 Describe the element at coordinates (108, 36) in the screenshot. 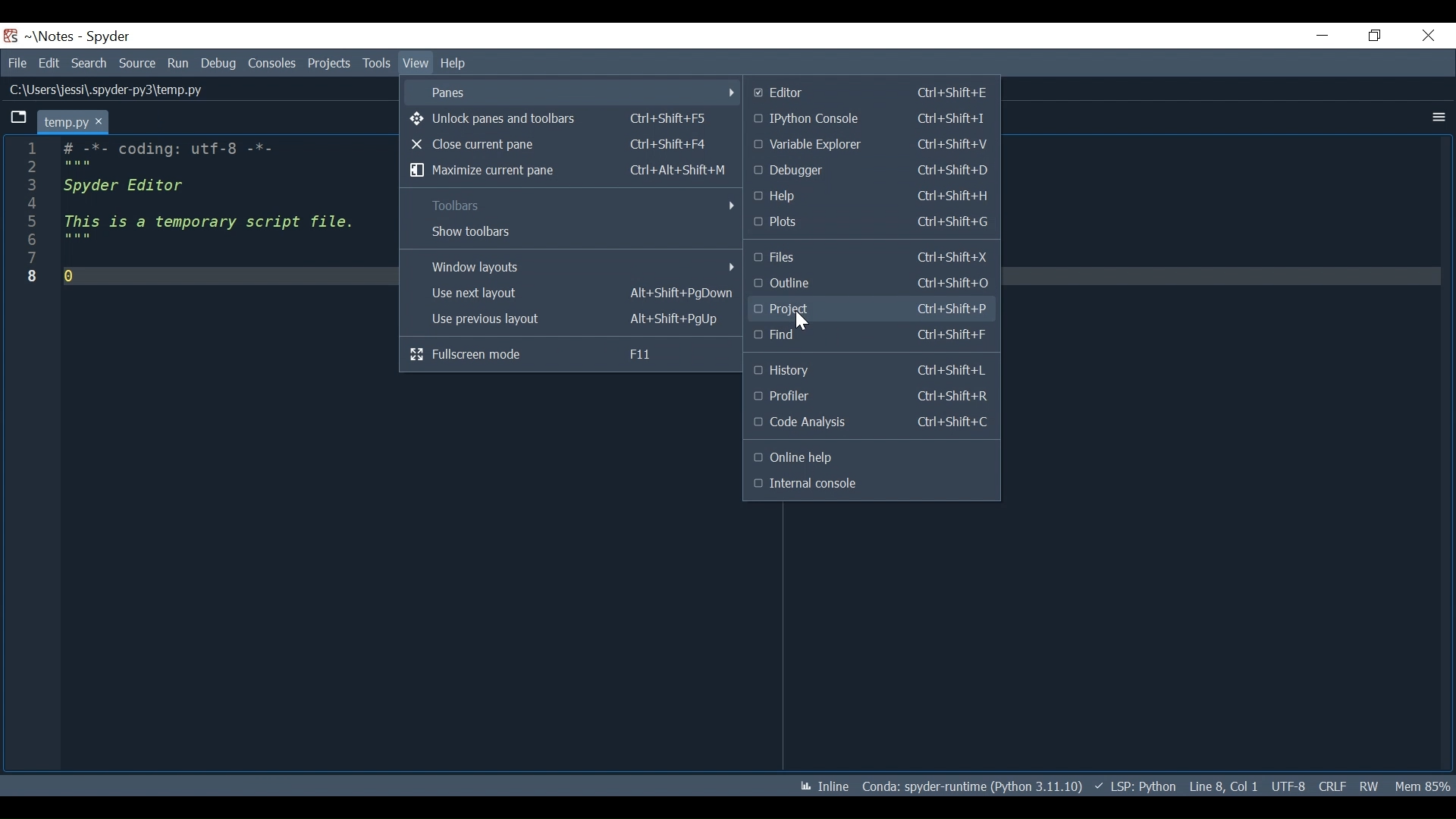

I see `Spyder` at that location.